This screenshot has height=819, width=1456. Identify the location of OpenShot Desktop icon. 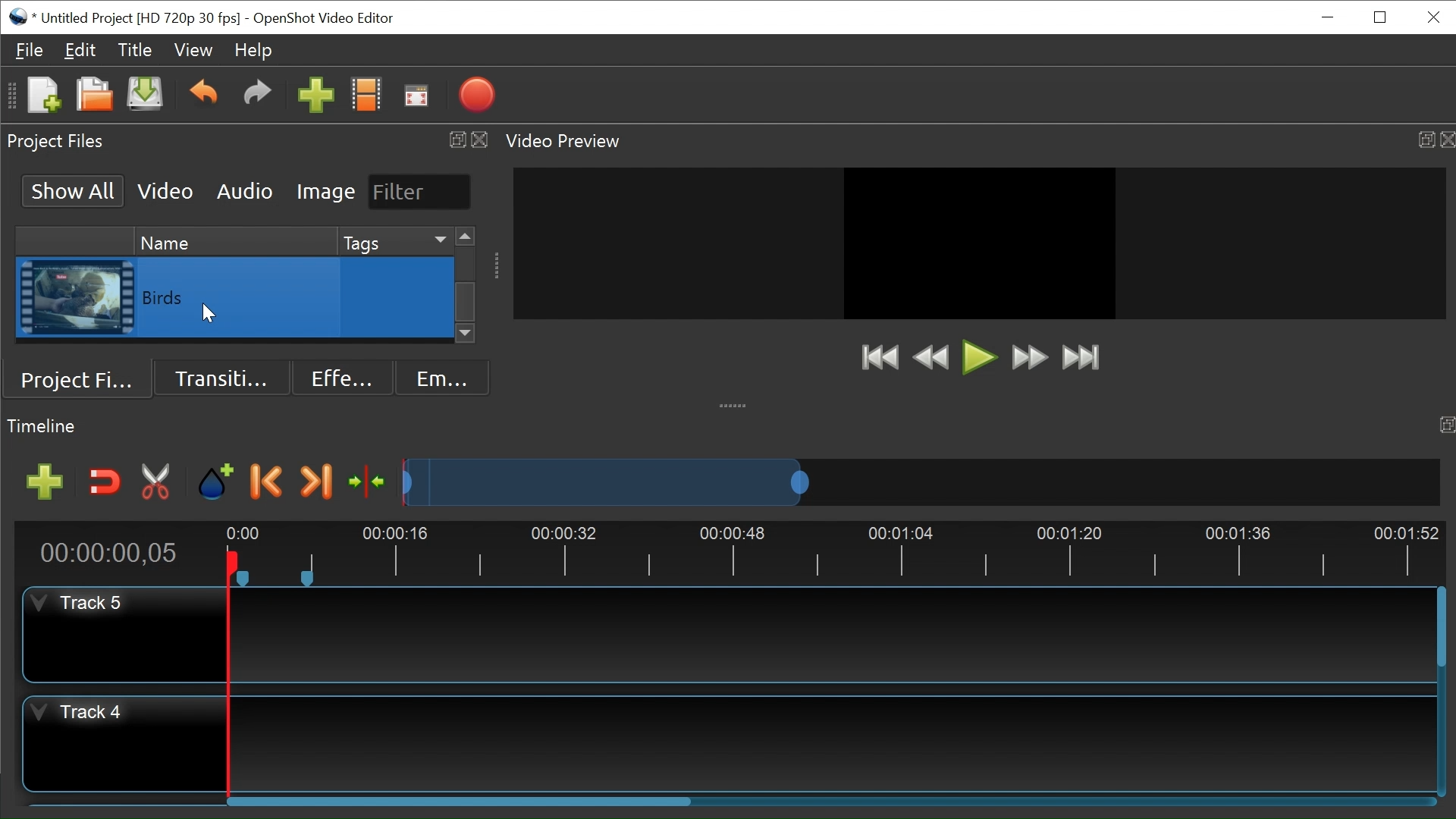
(19, 15).